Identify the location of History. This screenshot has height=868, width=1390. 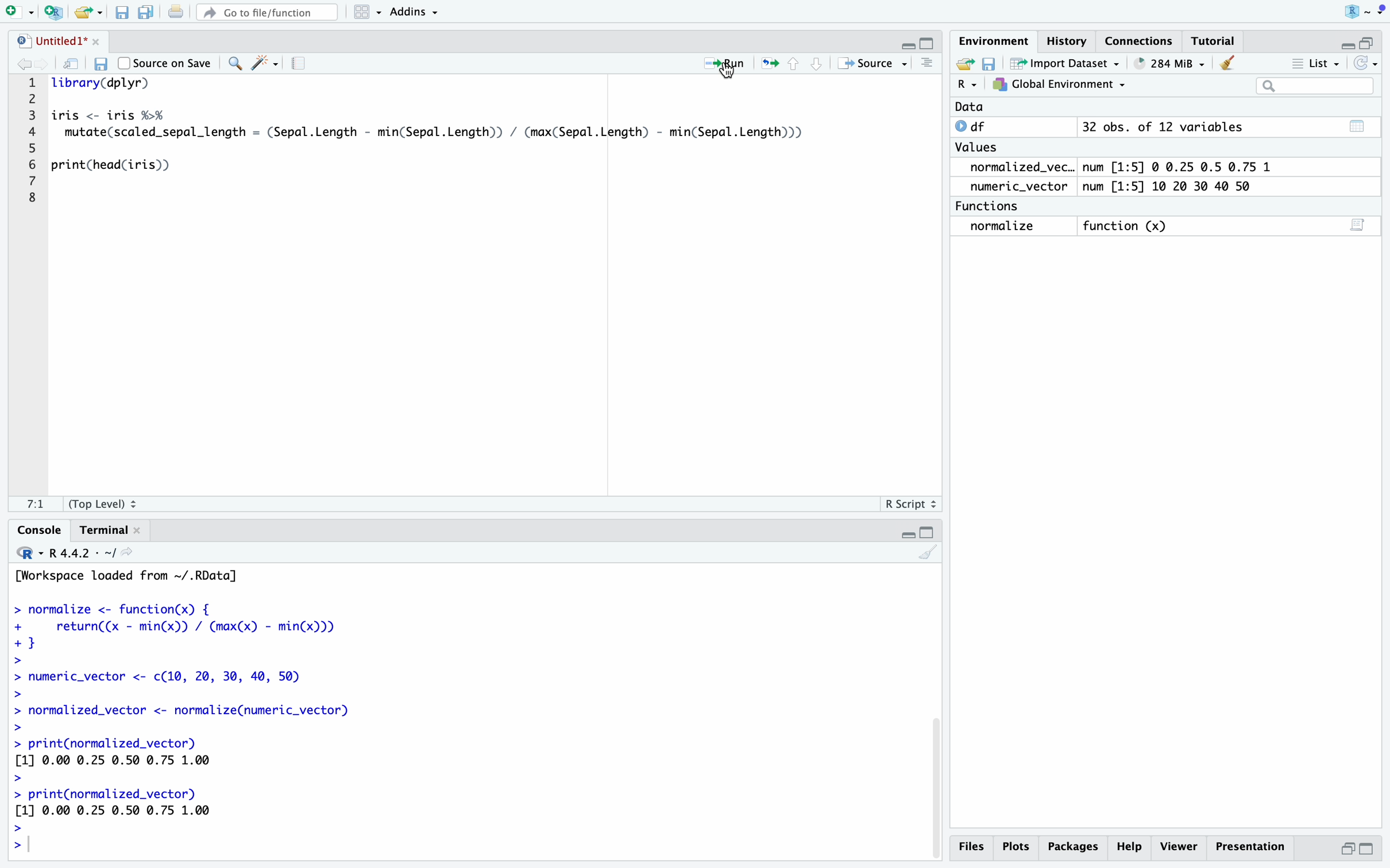
(1068, 44).